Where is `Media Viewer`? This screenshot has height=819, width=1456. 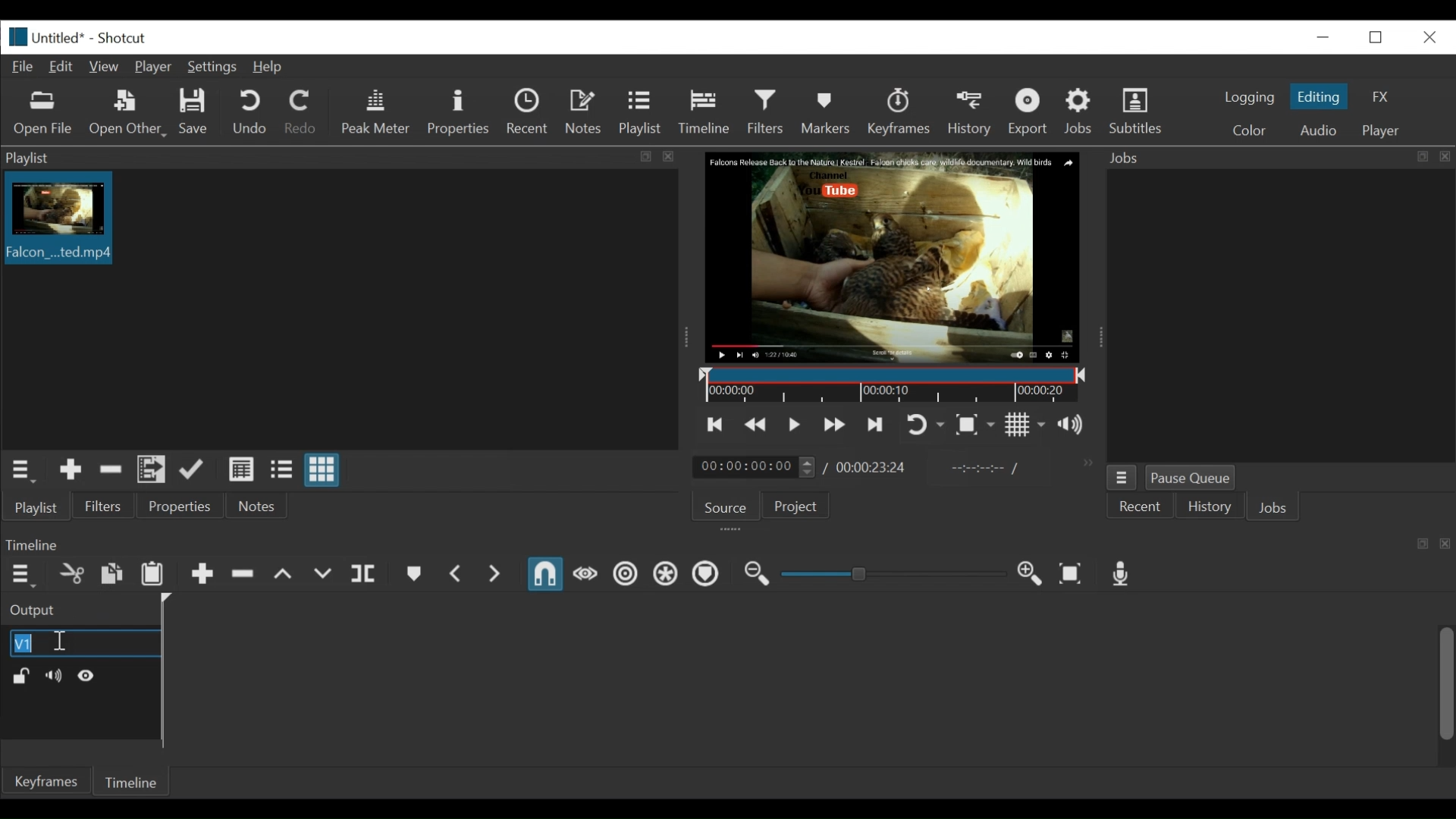
Media Viewer is located at coordinates (893, 259).